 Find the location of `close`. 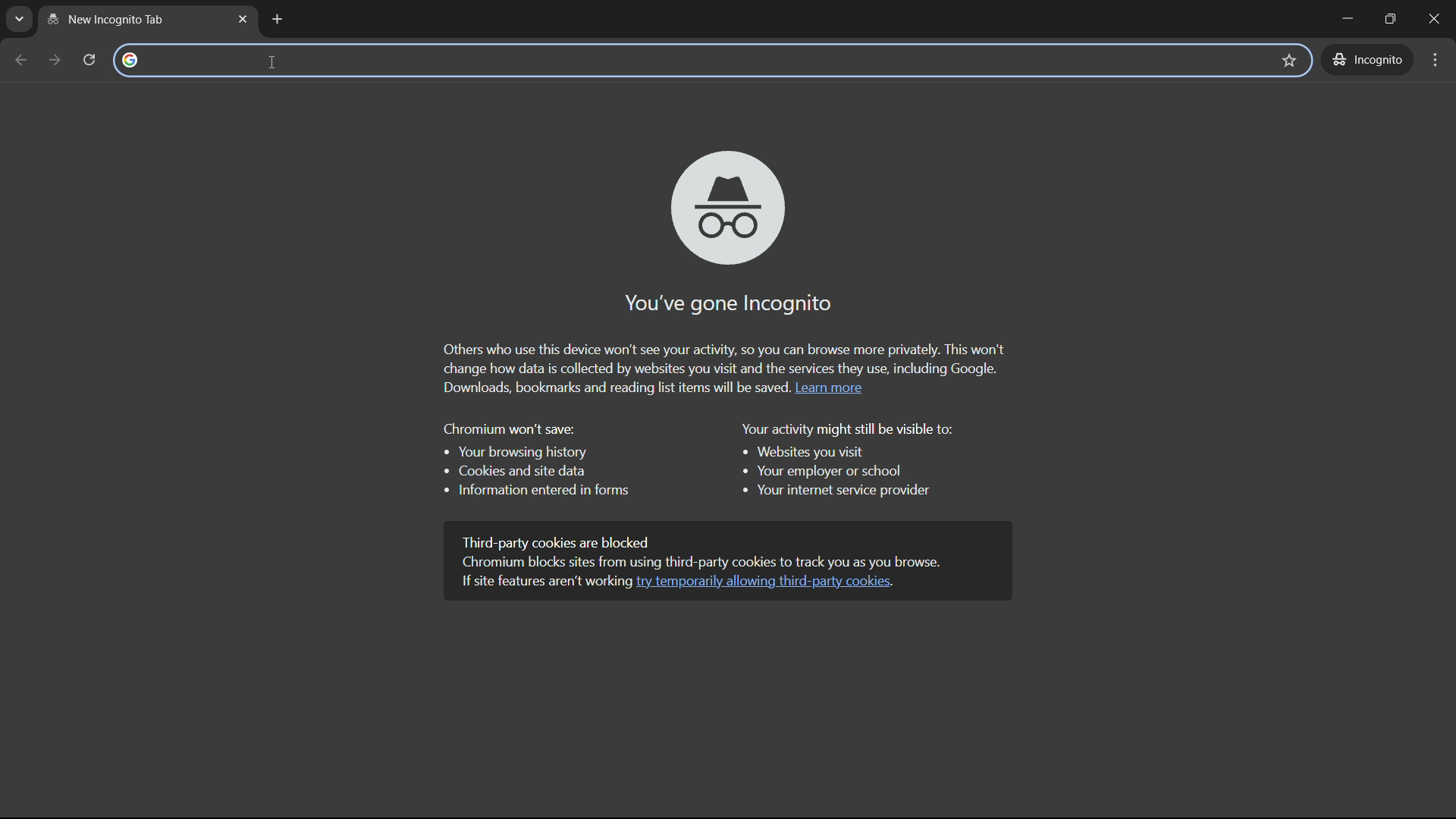

close is located at coordinates (243, 19).